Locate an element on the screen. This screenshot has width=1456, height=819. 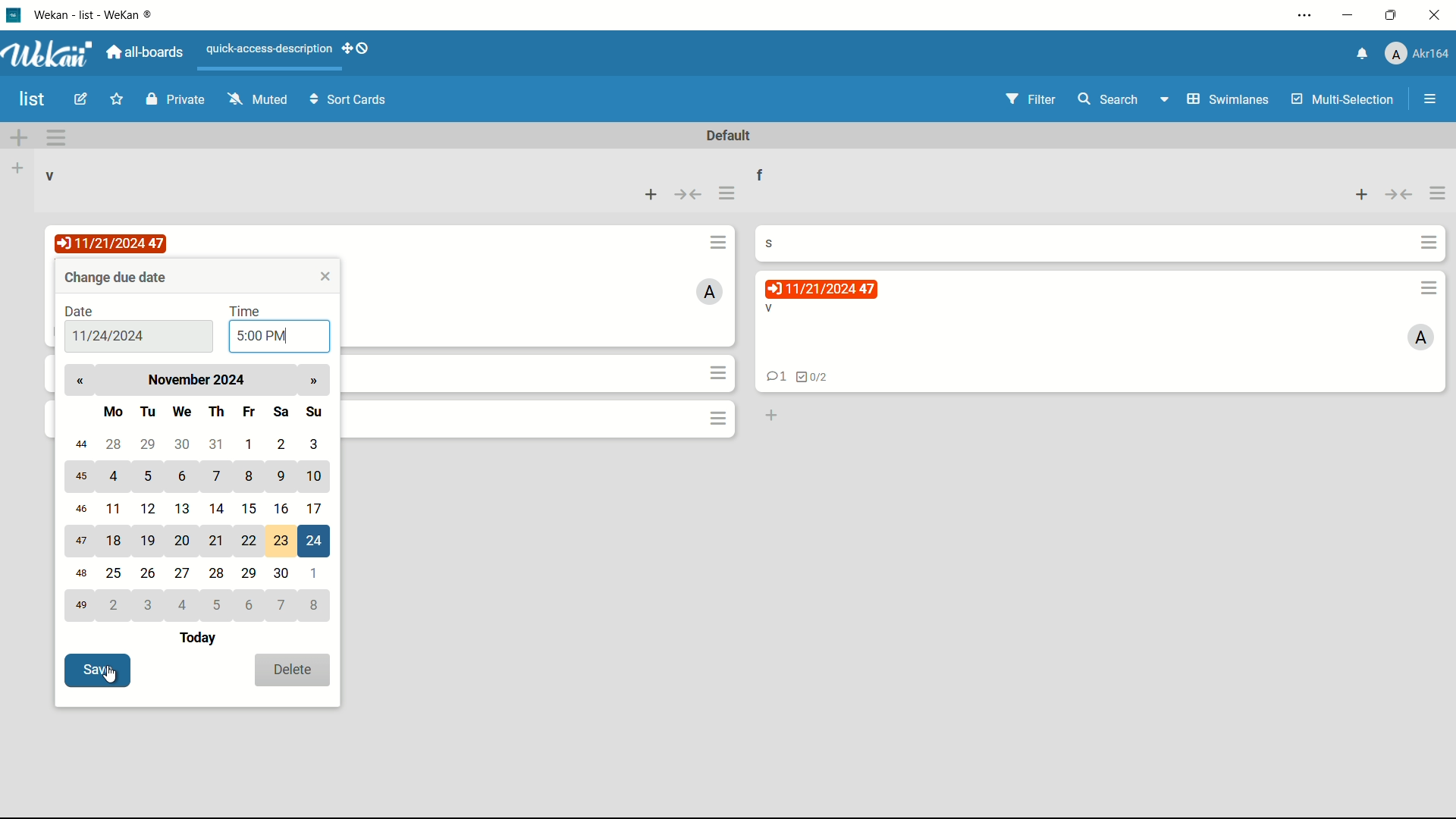
16 is located at coordinates (283, 508).